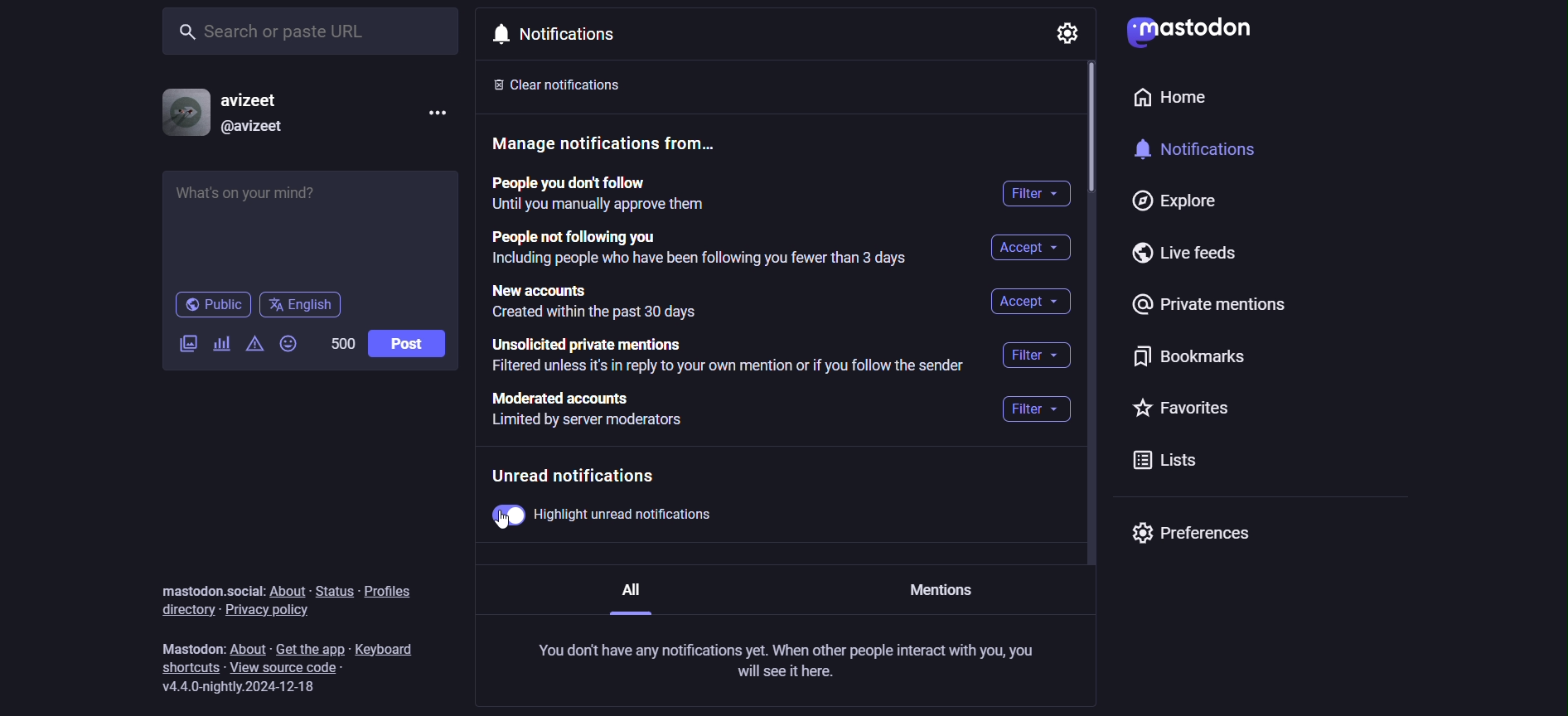  I want to click on accept, so click(1029, 302).